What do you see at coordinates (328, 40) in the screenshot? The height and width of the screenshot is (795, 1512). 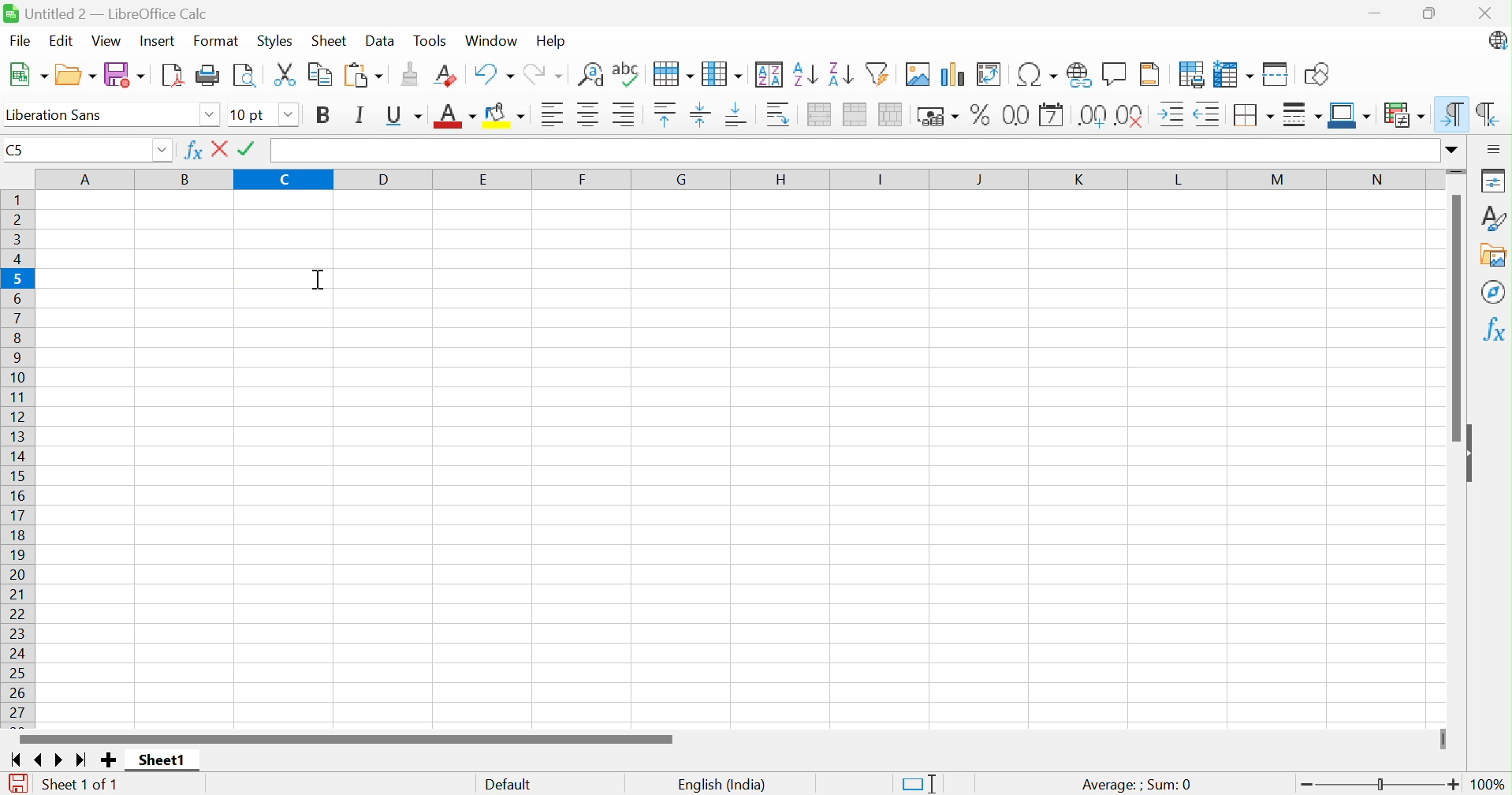 I see `Sheet` at bounding box center [328, 40].